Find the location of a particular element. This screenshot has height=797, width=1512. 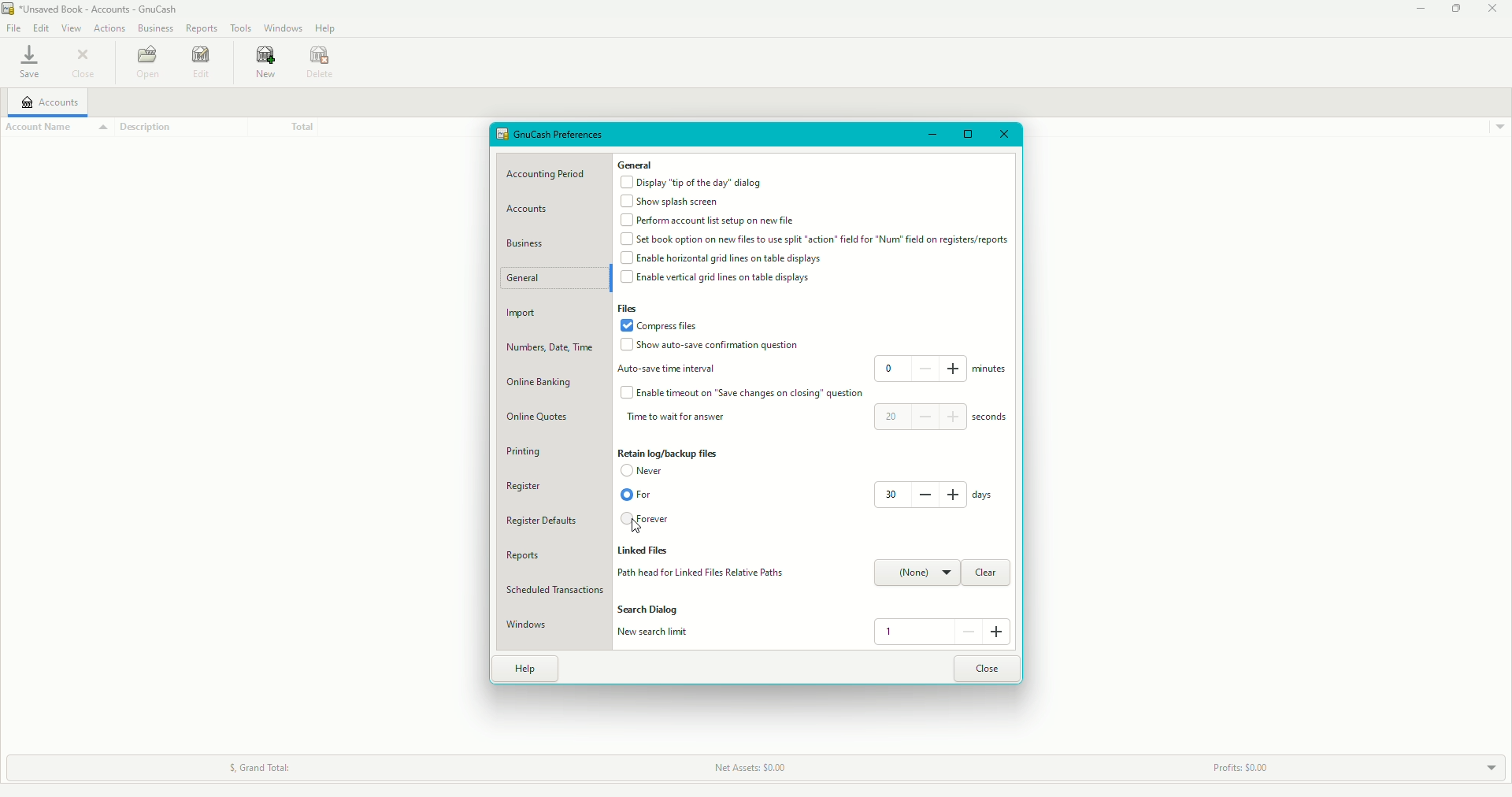

Business is located at coordinates (527, 242).